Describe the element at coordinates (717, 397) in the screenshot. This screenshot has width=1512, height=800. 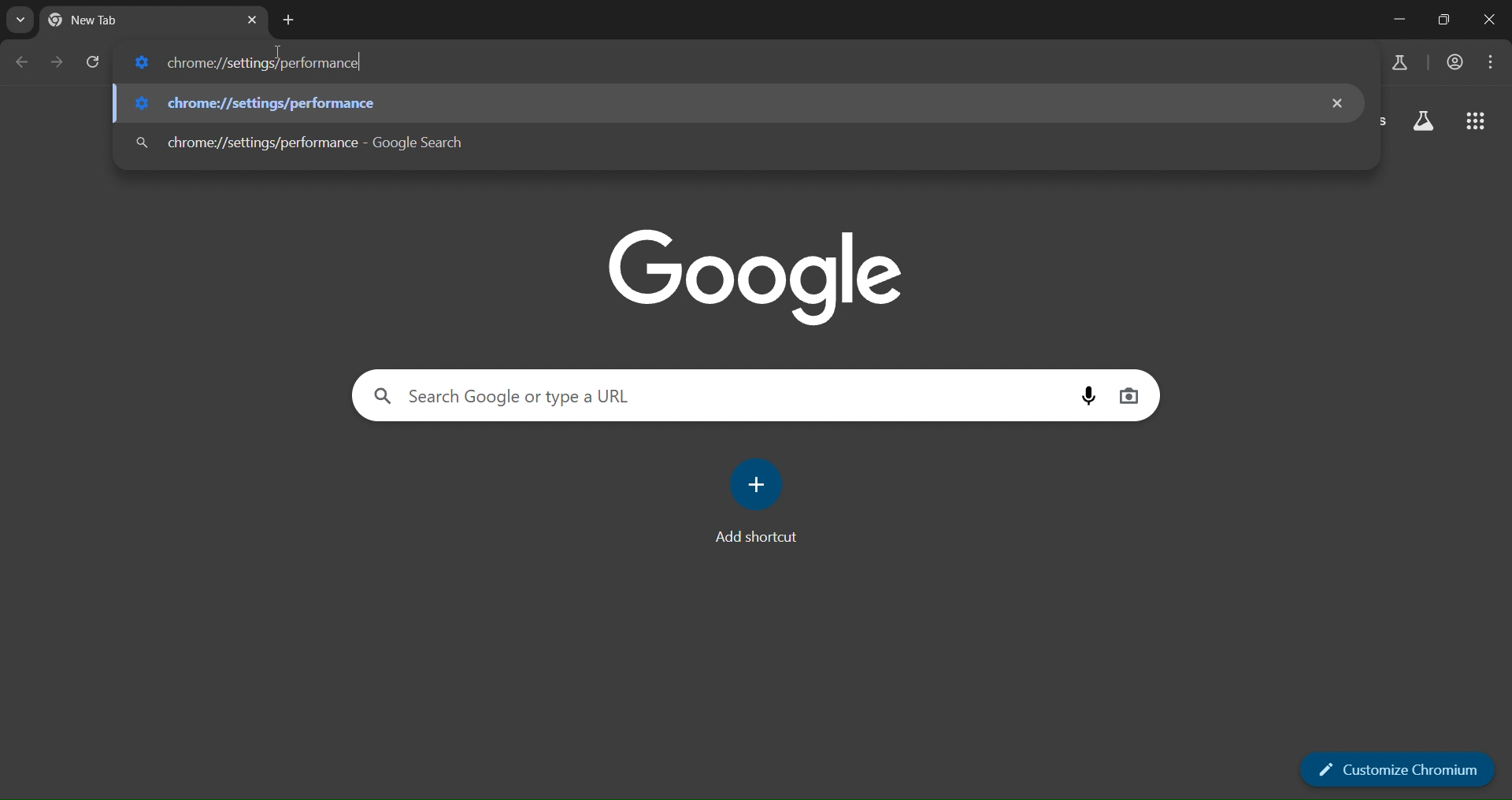
I see `search google or type a URL` at that location.